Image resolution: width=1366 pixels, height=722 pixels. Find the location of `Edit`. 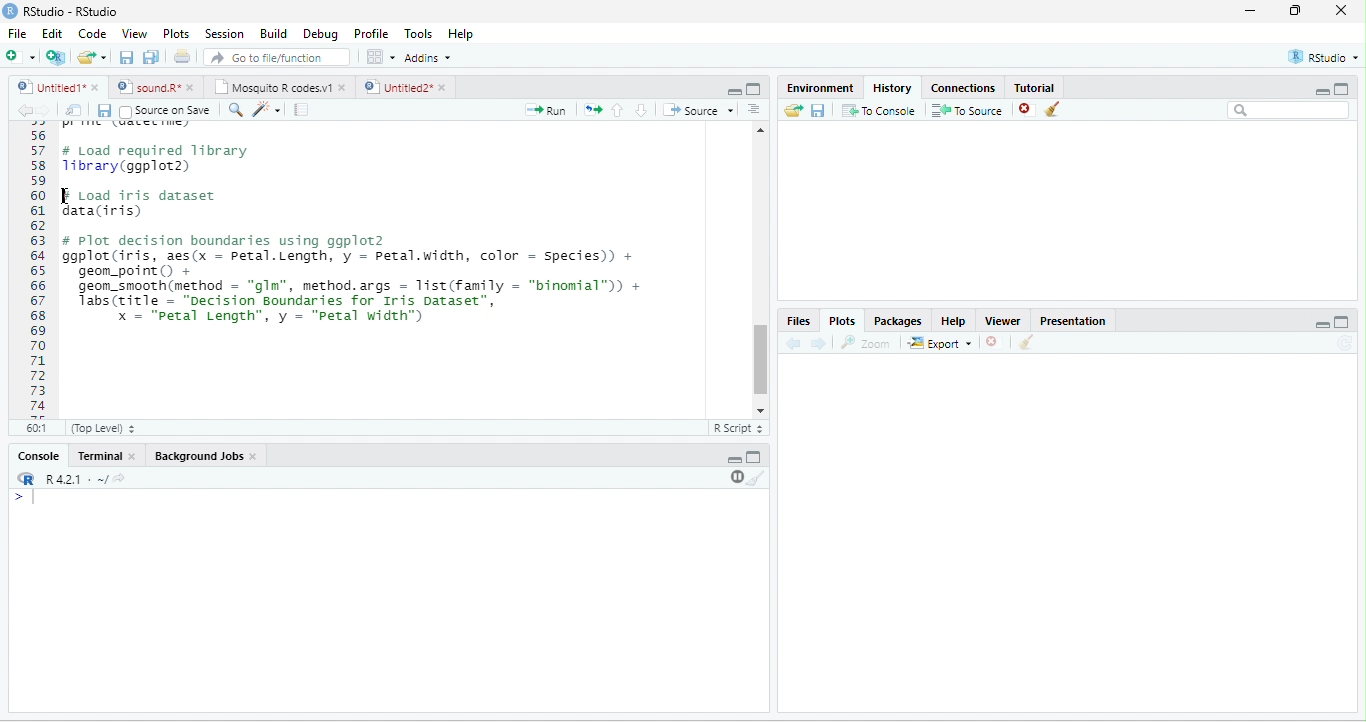

Edit is located at coordinates (52, 32).